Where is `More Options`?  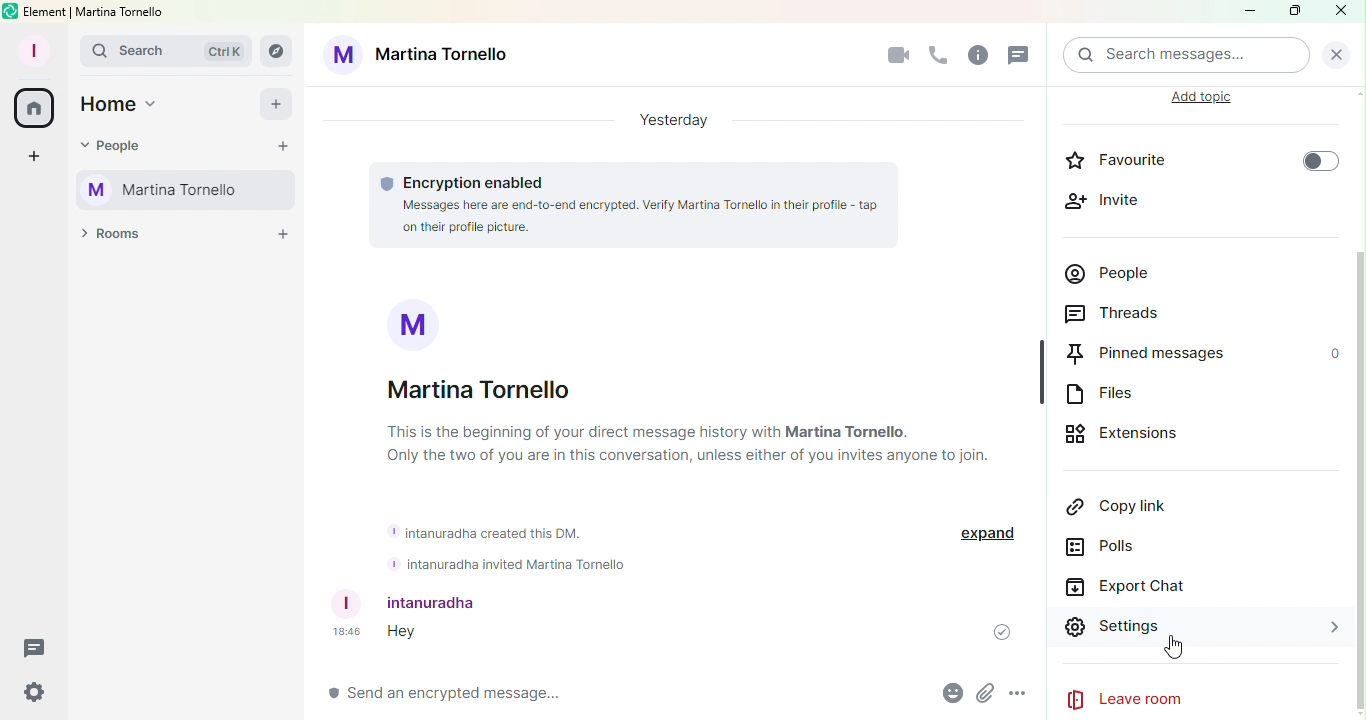 More Options is located at coordinates (1019, 693).